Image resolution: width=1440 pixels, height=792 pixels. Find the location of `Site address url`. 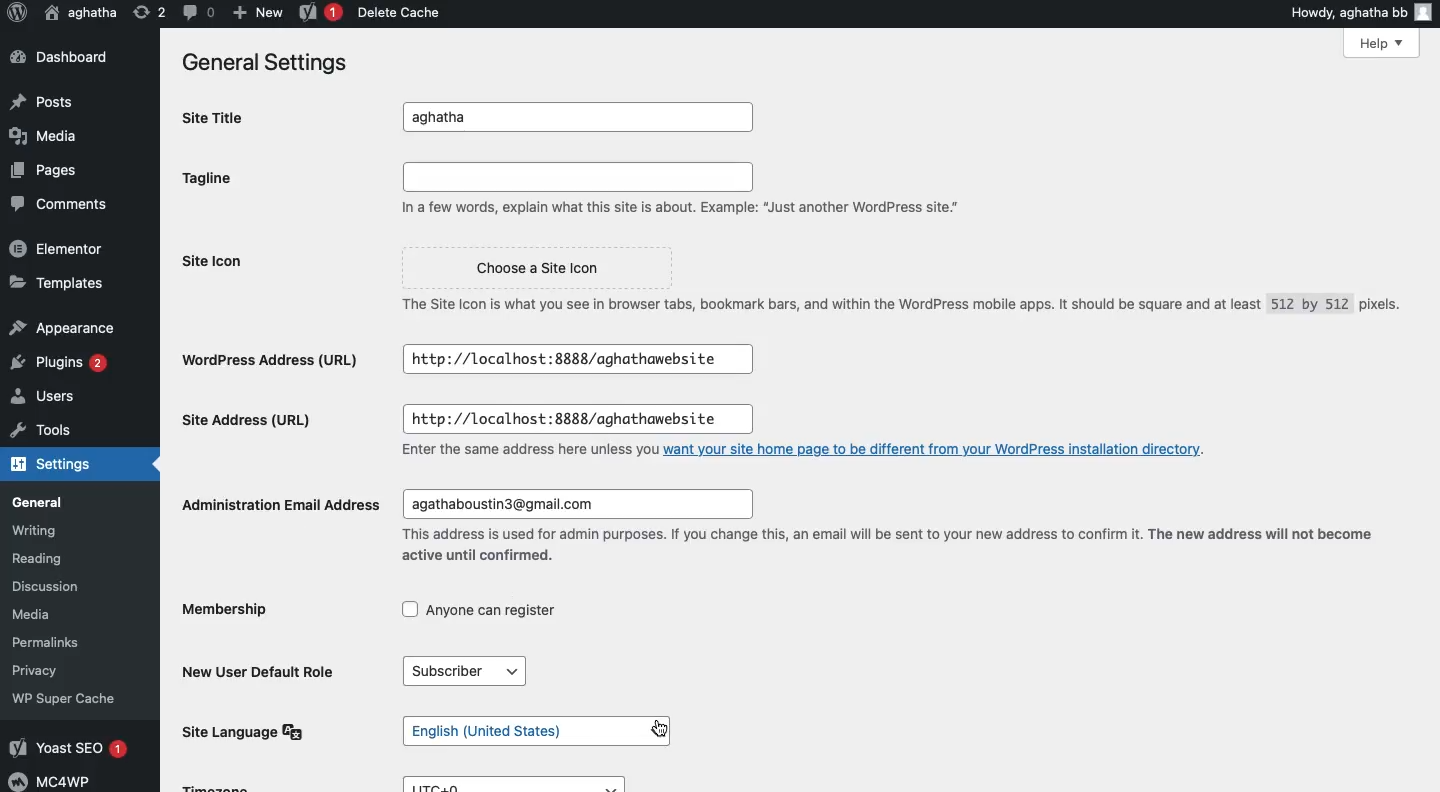

Site address url is located at coordinates (251, 423).